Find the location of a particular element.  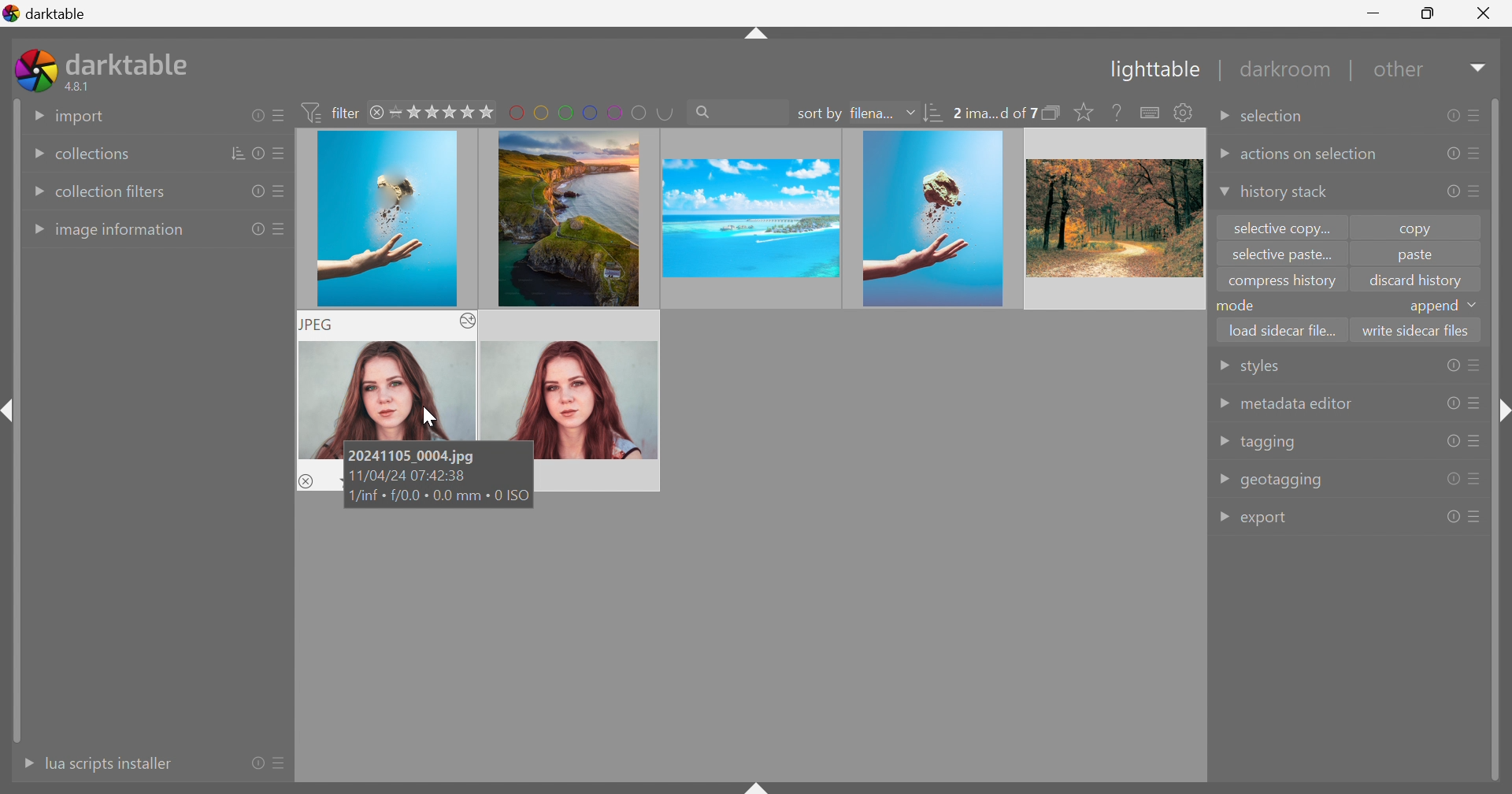

shift+ctrl+b is located at coordinates (758, 785).